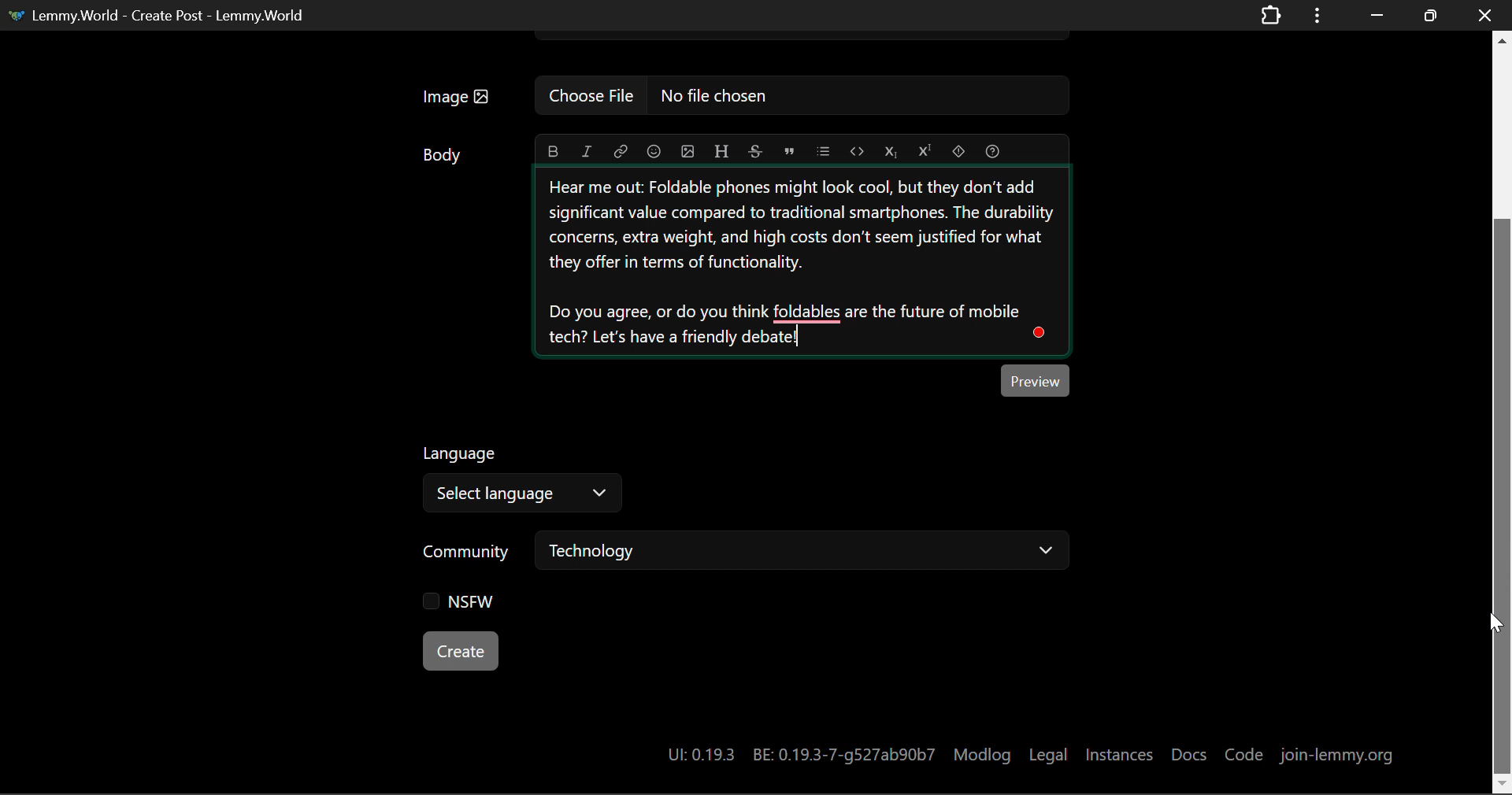 Image resolution: width=1512 pixels, height=795 pixels. I want to click on Legal, so click(1051, 752).